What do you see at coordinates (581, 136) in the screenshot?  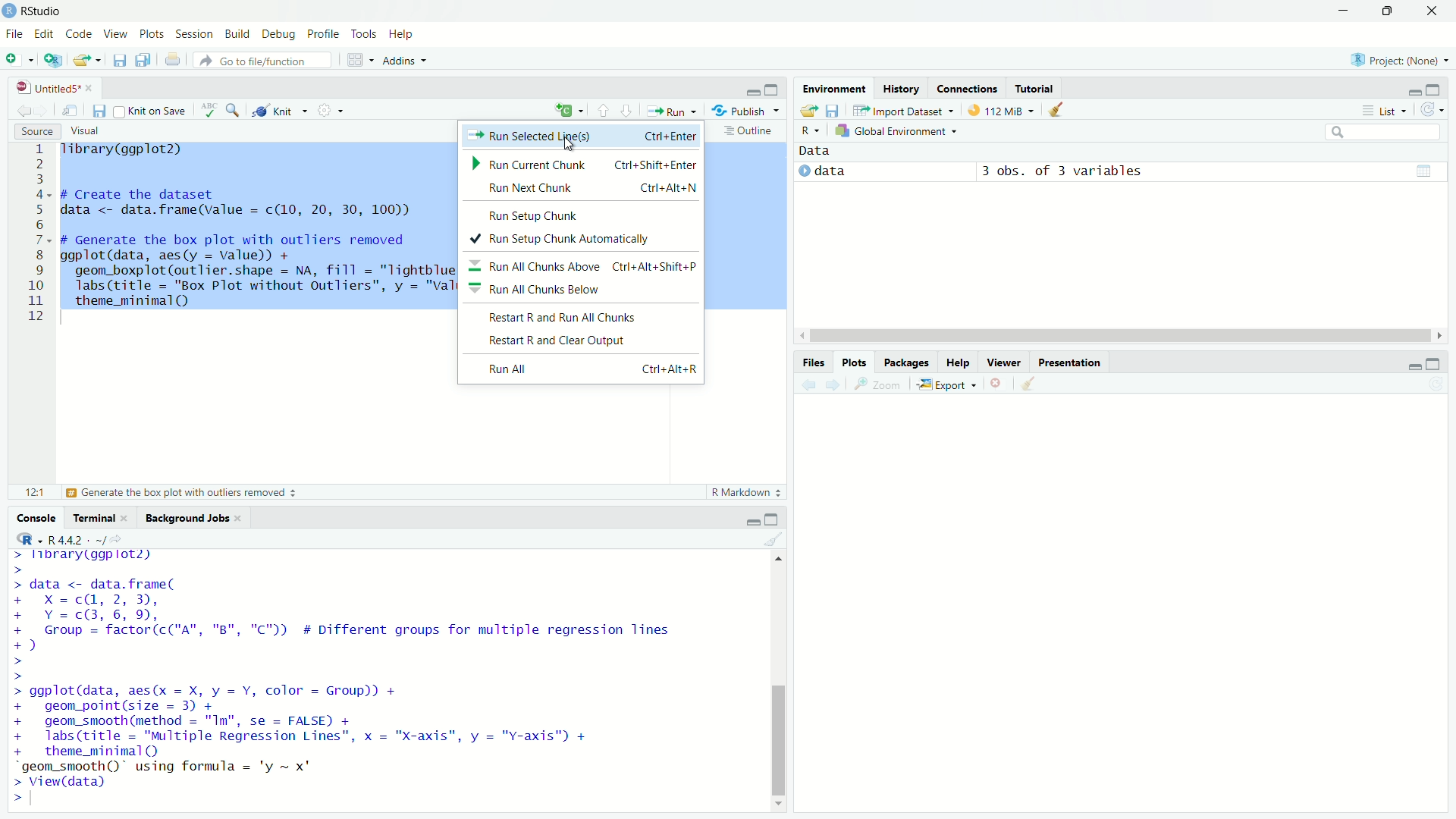 I see `* Run Selected Lige(s) Ctrl+Enter` at bounding box center [581, 136].